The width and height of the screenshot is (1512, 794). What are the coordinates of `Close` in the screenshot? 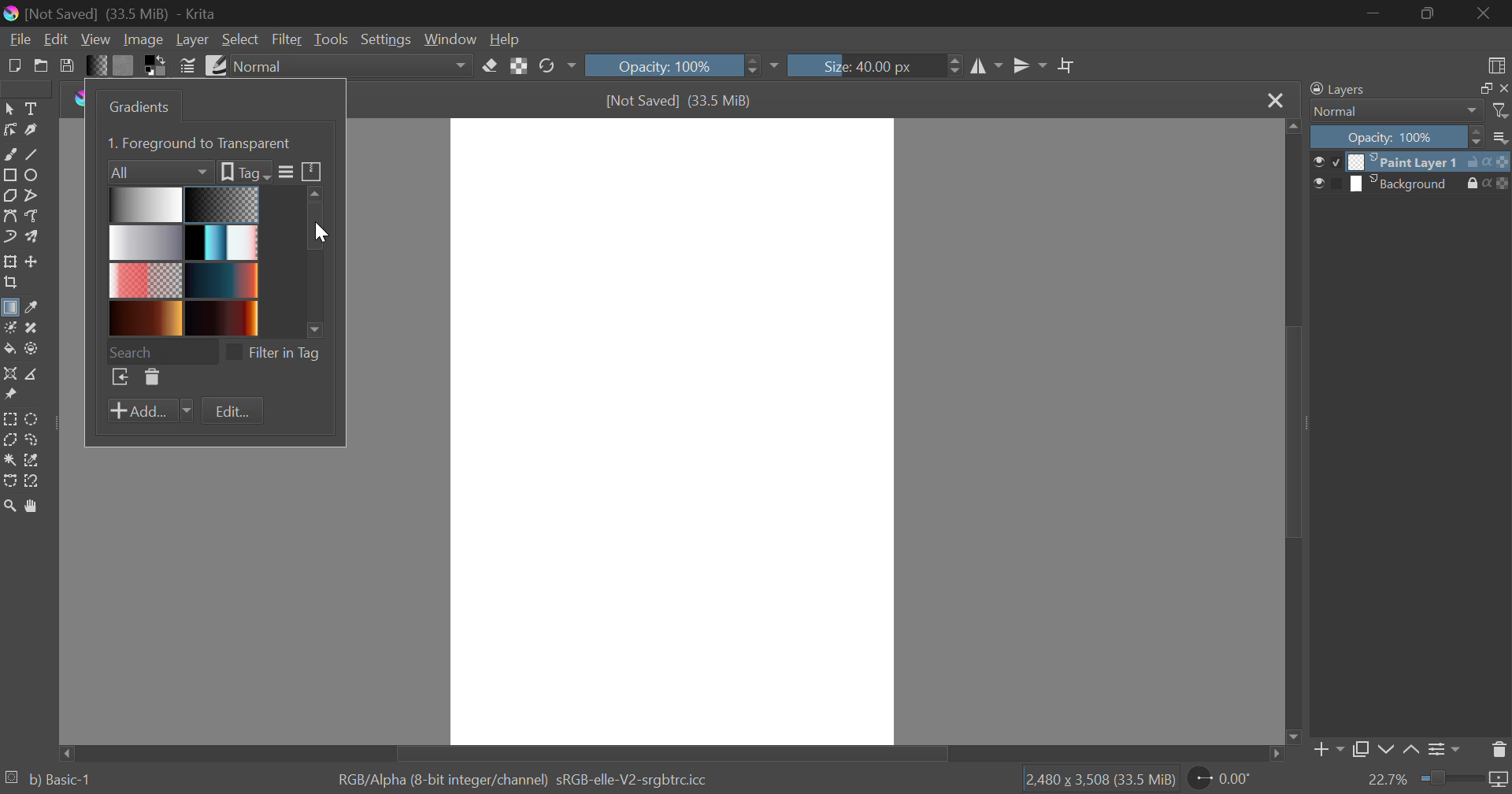 It's located at (1488, 13).